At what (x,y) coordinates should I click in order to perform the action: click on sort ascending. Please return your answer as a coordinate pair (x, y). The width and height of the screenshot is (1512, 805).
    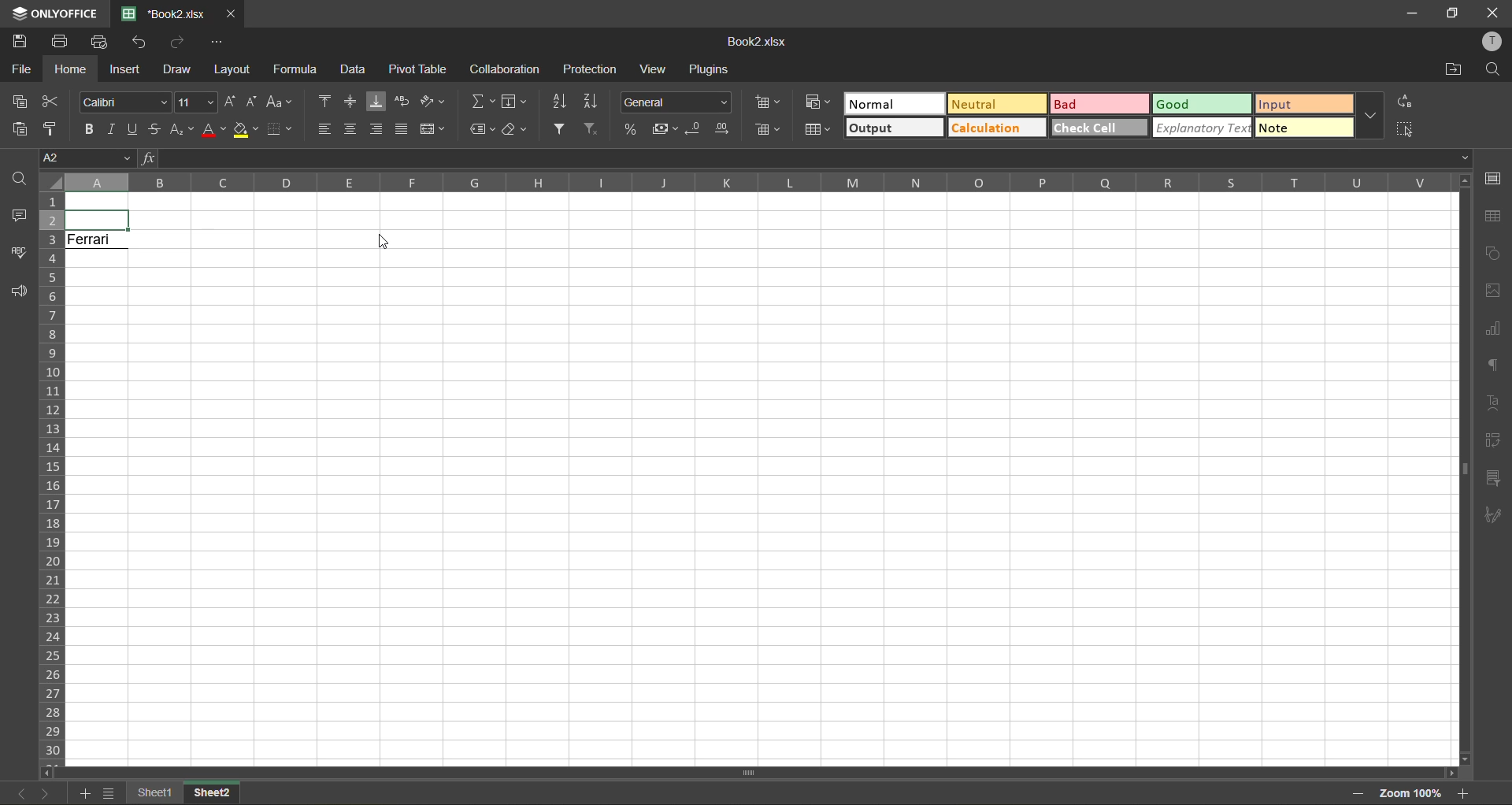
    Looking at the image, I should click on (560, 101).